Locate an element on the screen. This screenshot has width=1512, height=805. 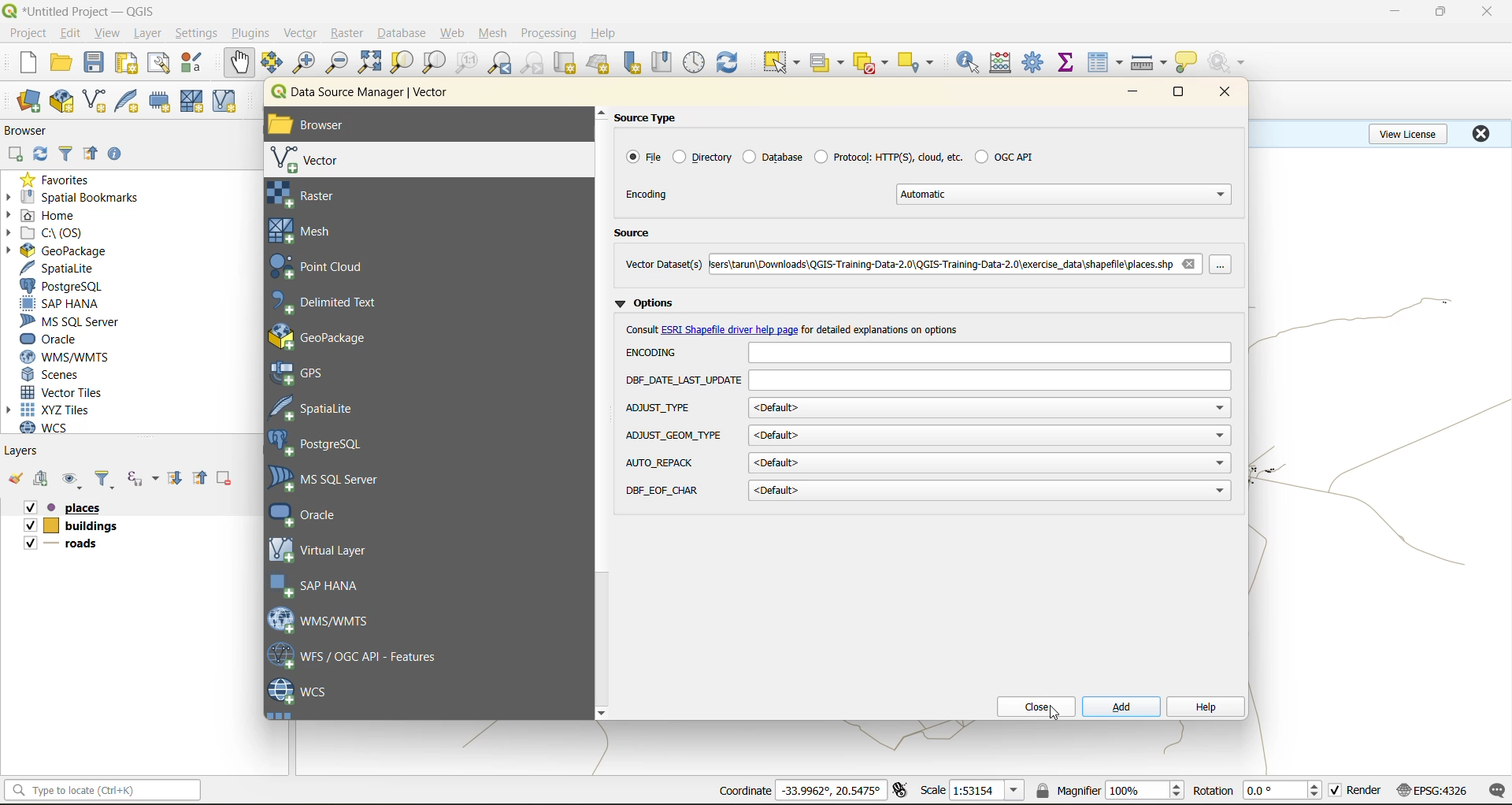
select location is located at coordinates (921, 61).